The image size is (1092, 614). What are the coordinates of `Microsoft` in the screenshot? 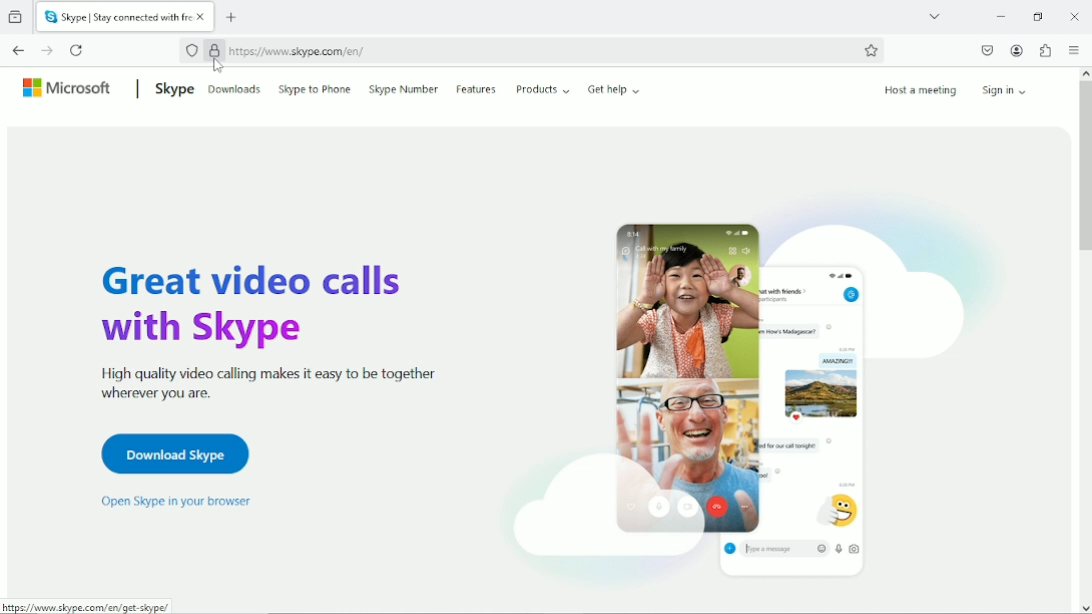 It's located at (68, 87).